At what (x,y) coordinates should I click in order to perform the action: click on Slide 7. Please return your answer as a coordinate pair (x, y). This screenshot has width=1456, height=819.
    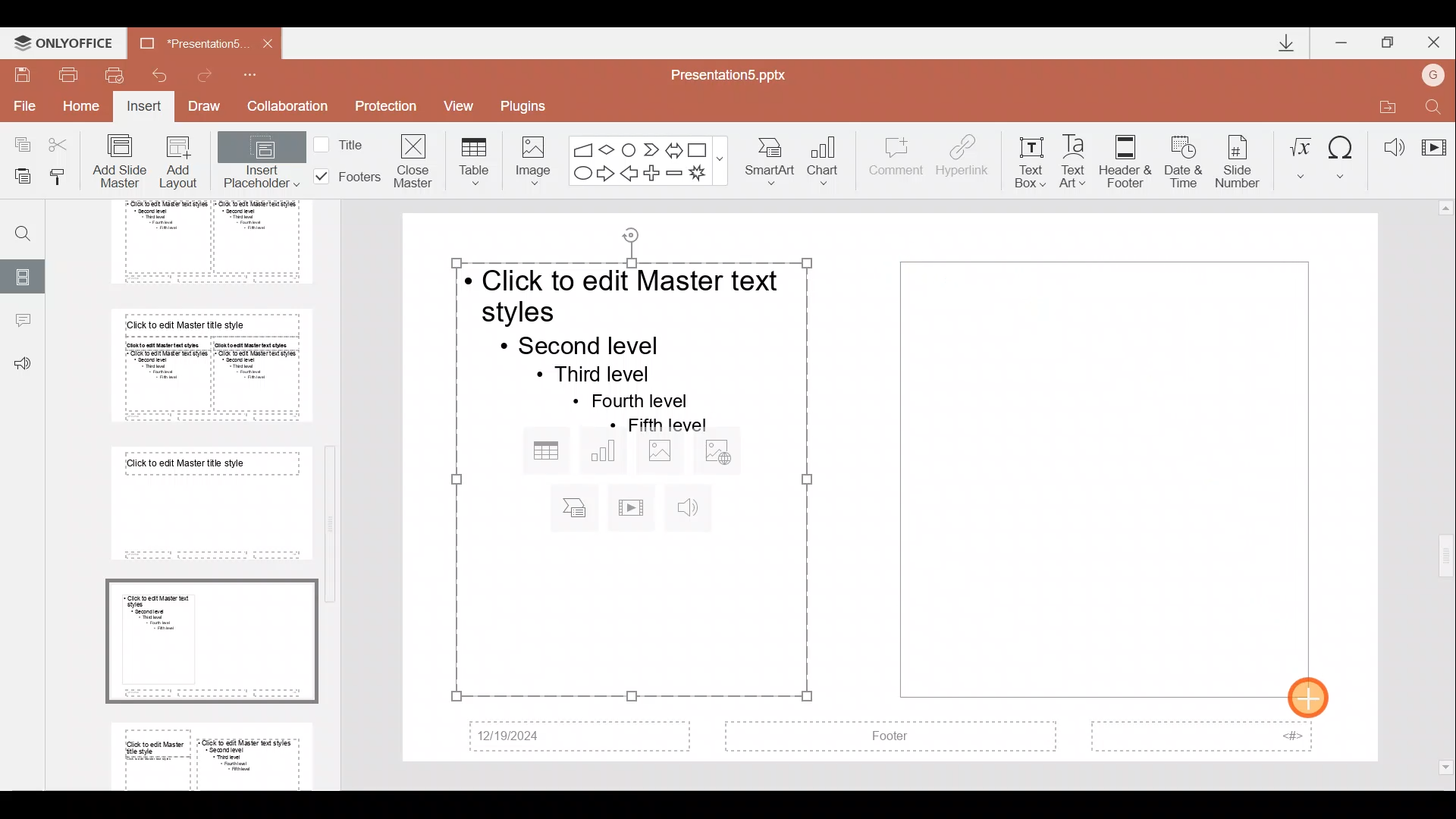
    Looking at the image, I should click on (206, 503).